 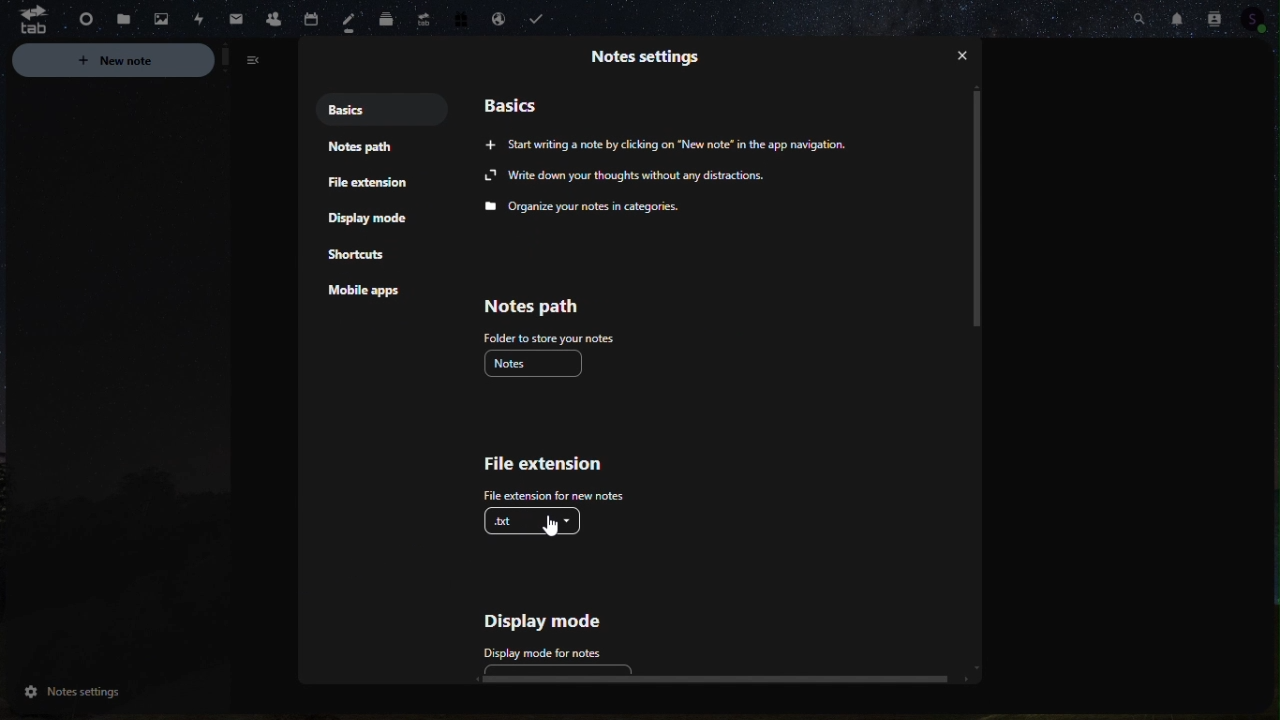 What do you see at coordinates (357, 108) in the screenshot?
I see `Basics notes` at bounding box center [357, 108].